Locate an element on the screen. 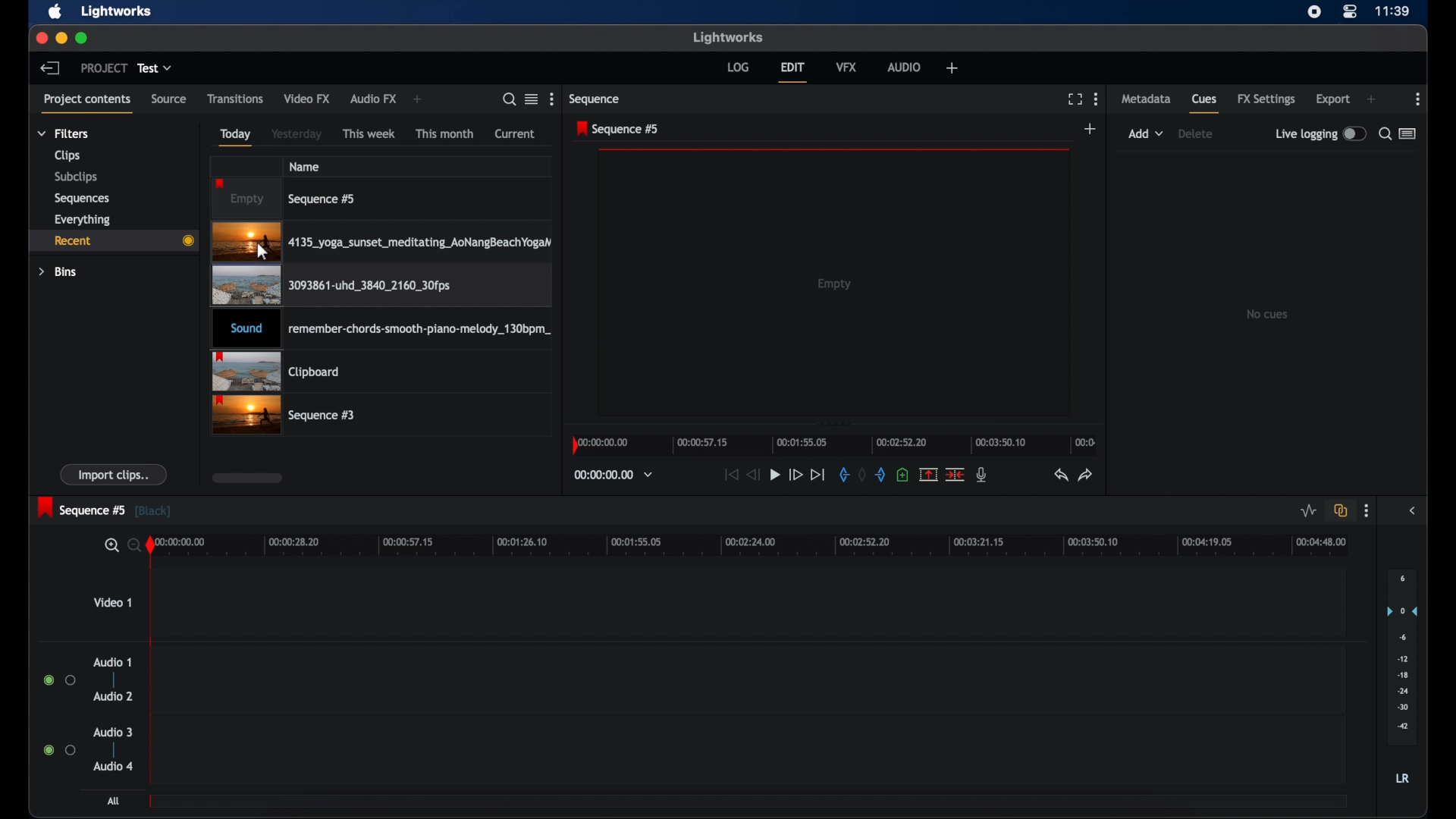 This screenshot has height=819, width=1456. audio clip is located at coordinates (379, 329).